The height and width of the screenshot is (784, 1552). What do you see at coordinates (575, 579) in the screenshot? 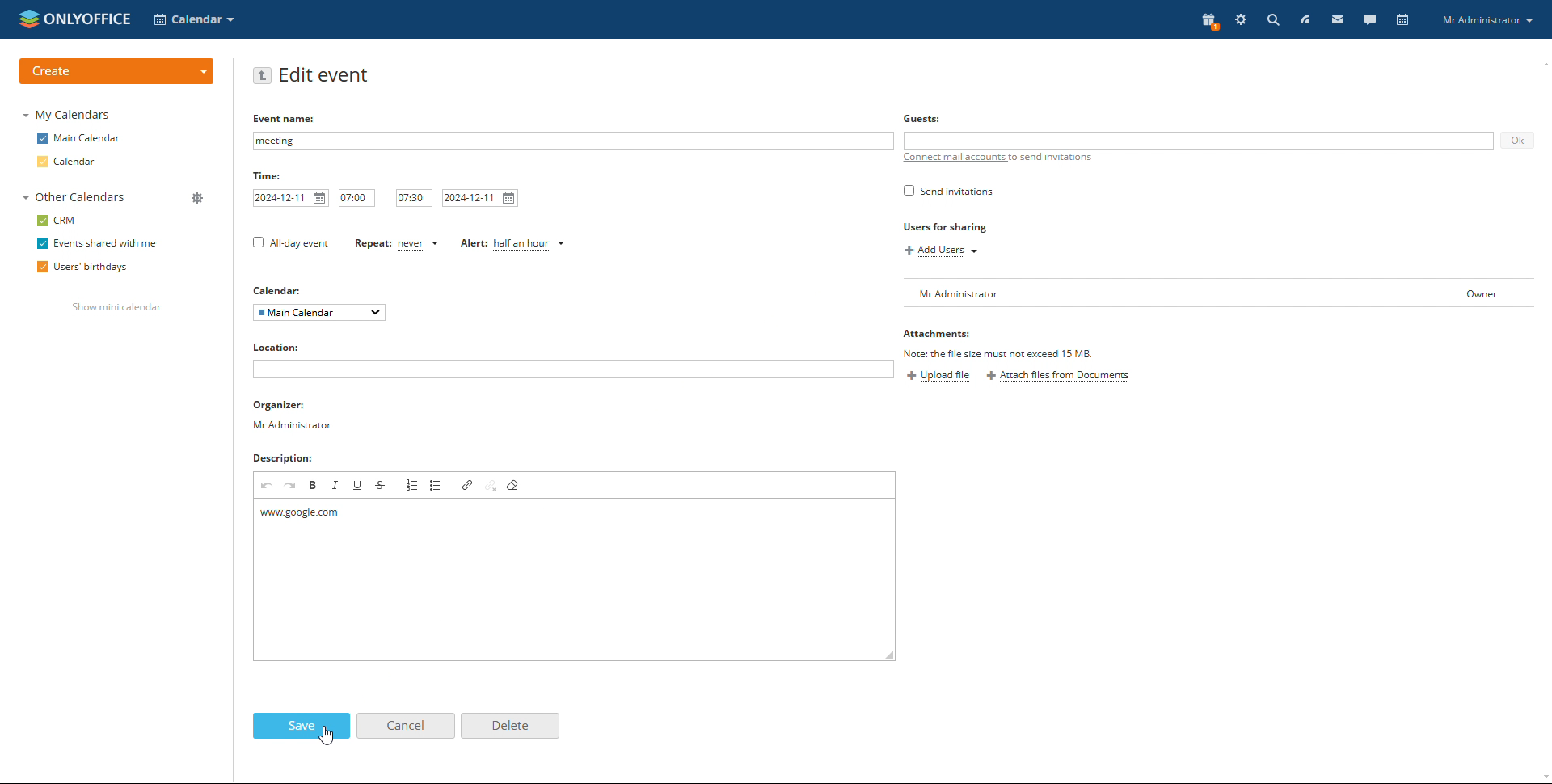
I see `event description` at bounding box center [575, 579].